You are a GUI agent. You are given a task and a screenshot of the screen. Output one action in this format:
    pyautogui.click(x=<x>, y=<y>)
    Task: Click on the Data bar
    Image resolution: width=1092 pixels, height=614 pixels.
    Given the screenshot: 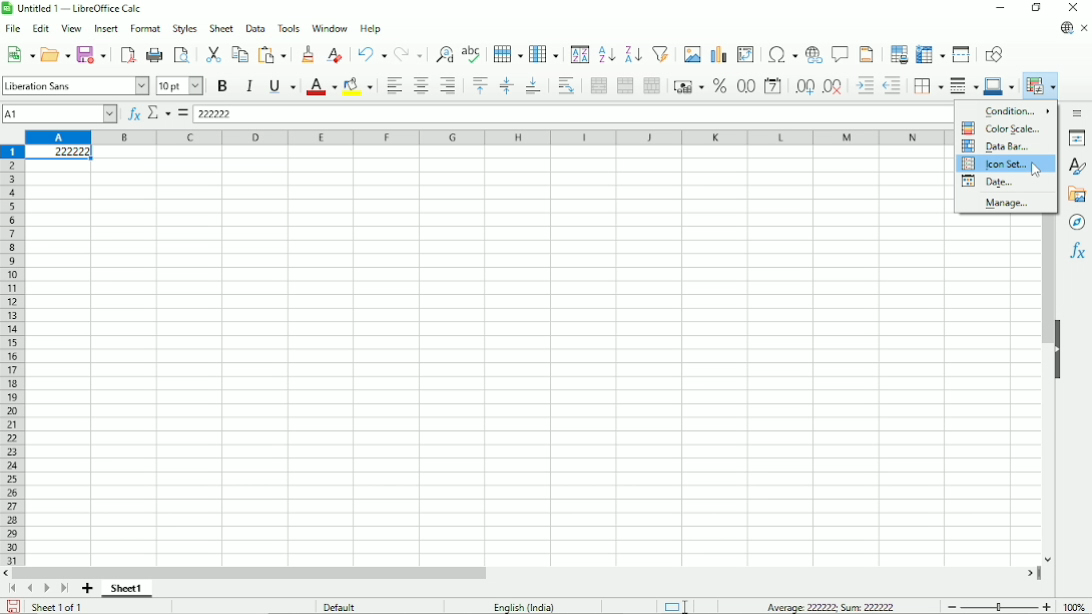 What is the action you would take?
    pyautogui.click(x=995, y=147)
    